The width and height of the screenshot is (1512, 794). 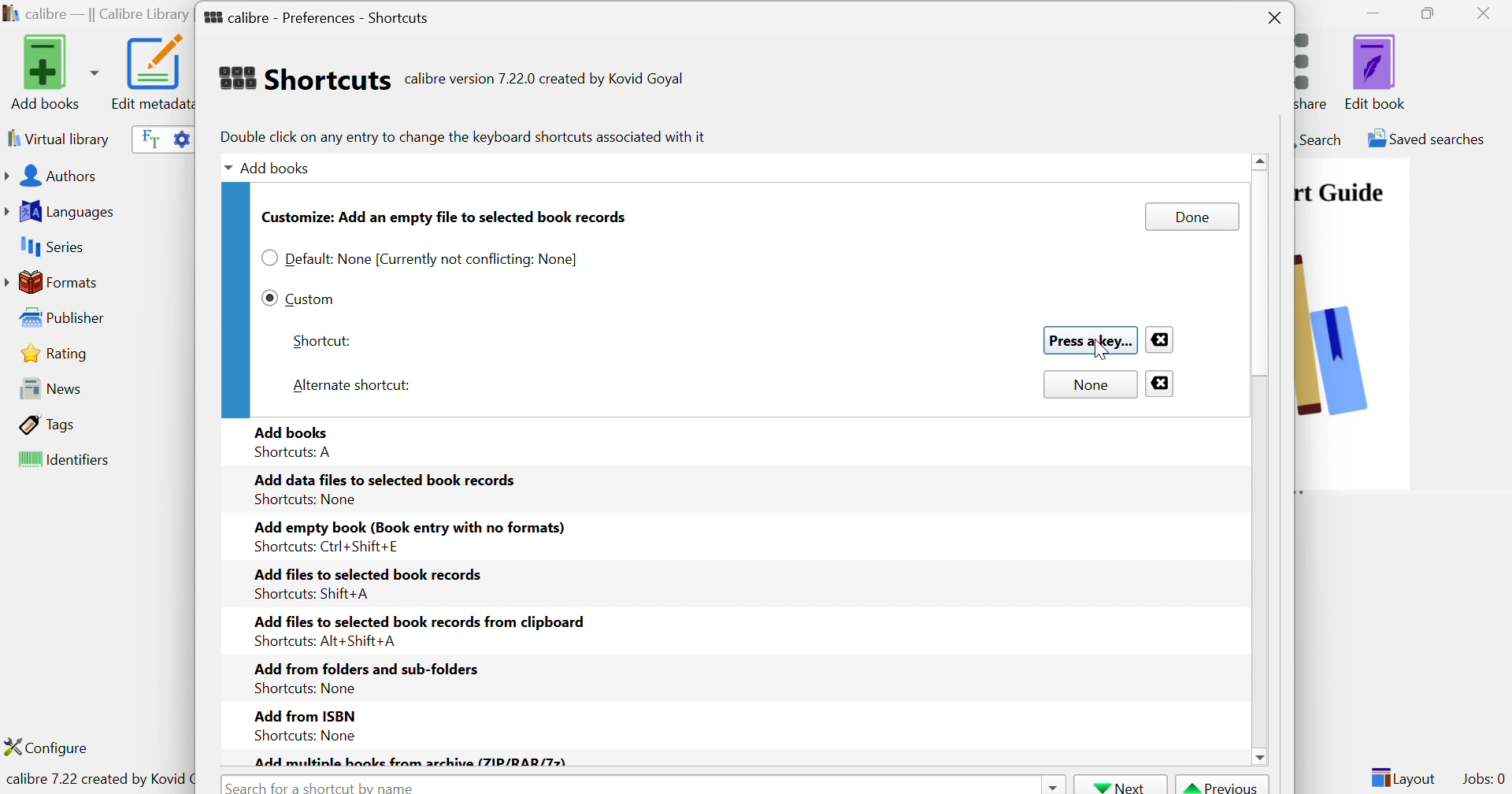 I want to click on image, so click(x=1352, y=357).